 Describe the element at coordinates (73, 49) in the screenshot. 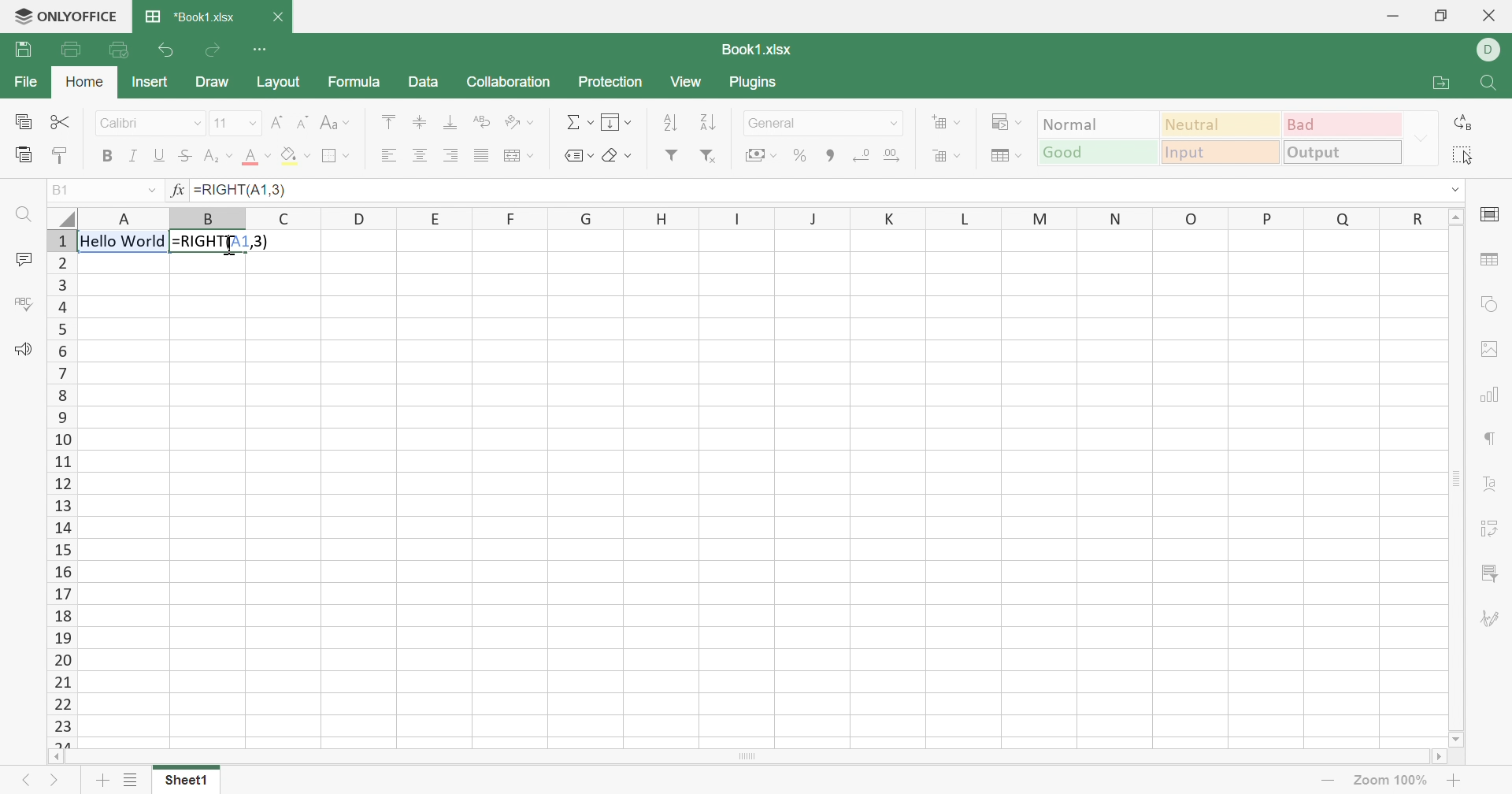

I see `Print file` at that location.